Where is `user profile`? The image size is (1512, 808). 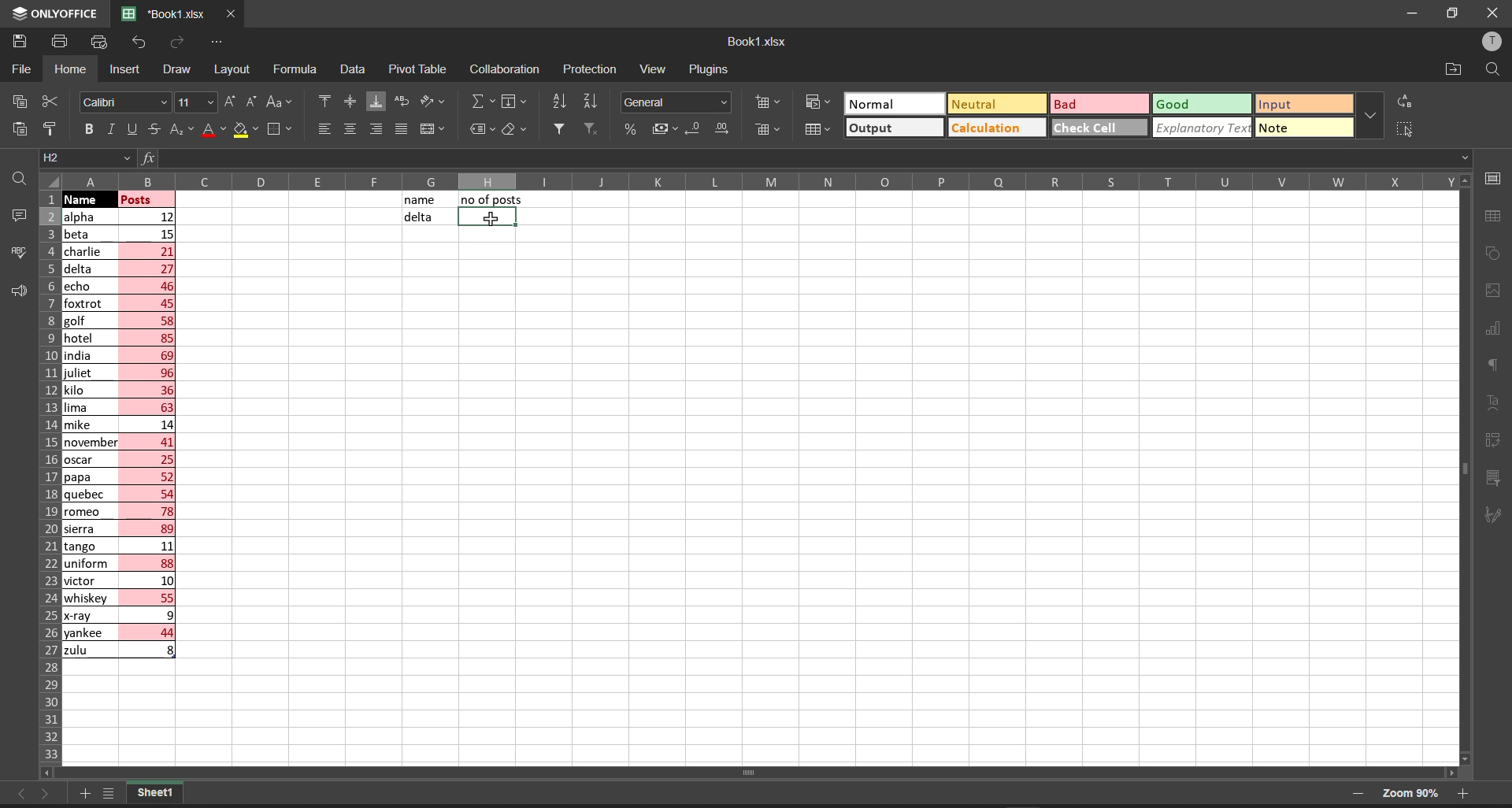
user profile is located at coordinates (1494, 41).